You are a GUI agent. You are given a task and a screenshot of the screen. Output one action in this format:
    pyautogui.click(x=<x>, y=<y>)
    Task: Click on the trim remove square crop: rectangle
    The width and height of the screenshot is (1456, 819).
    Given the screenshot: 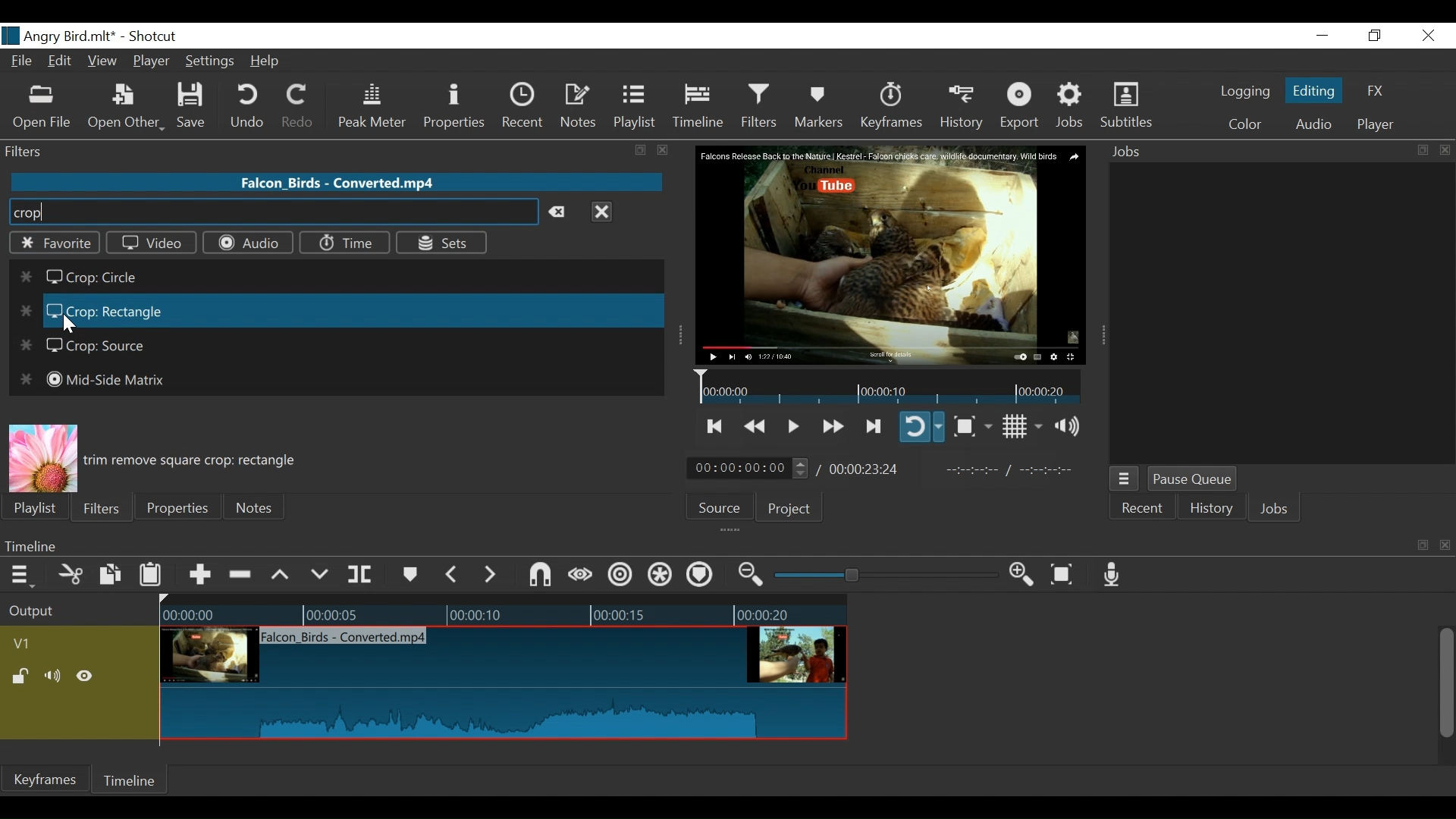 What is the action you would take?
    pyautogui.click(x=195, y=460)
    